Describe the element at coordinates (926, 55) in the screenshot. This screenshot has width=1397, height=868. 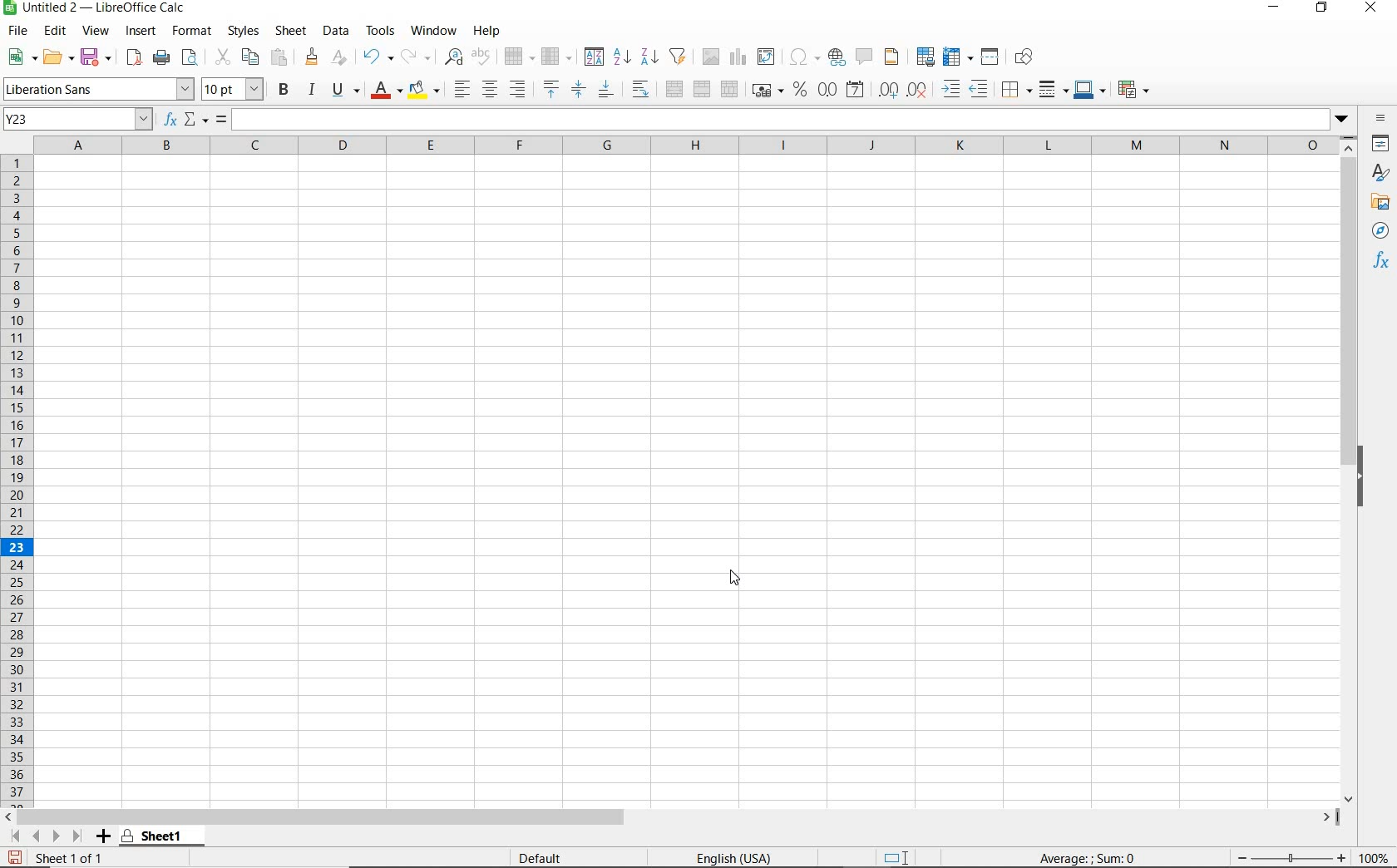
I see `DEFINE PRINT AREA` at that location.